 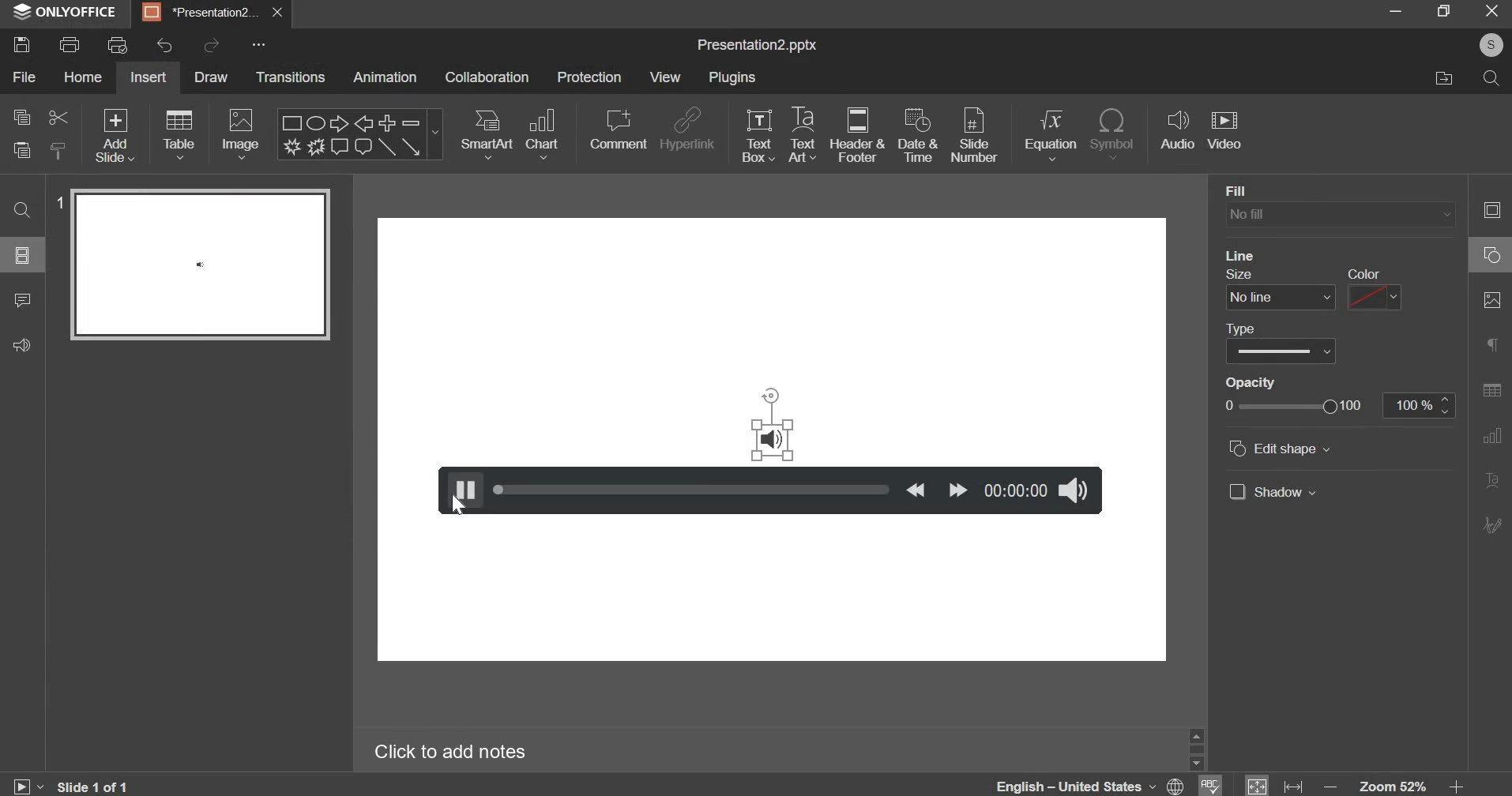 What do you see at coordinates (543, 134) in the screenshot?
I see `chart` at bounding box center [543, 134].